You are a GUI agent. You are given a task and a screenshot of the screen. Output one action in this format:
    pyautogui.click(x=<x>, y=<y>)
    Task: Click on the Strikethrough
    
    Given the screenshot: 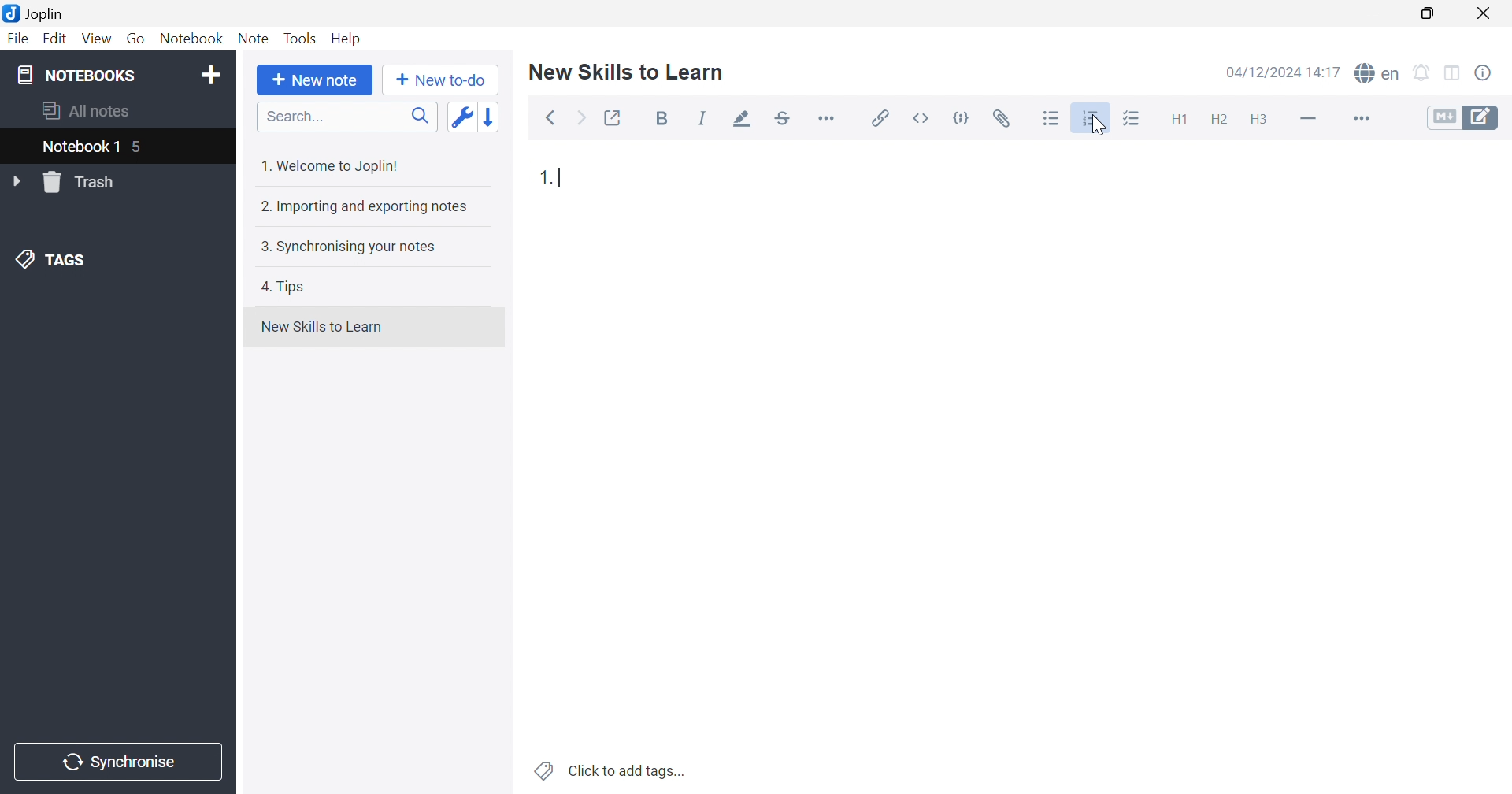 What is the action you would take?
    pyautogui.click(x=784, y=119)
    